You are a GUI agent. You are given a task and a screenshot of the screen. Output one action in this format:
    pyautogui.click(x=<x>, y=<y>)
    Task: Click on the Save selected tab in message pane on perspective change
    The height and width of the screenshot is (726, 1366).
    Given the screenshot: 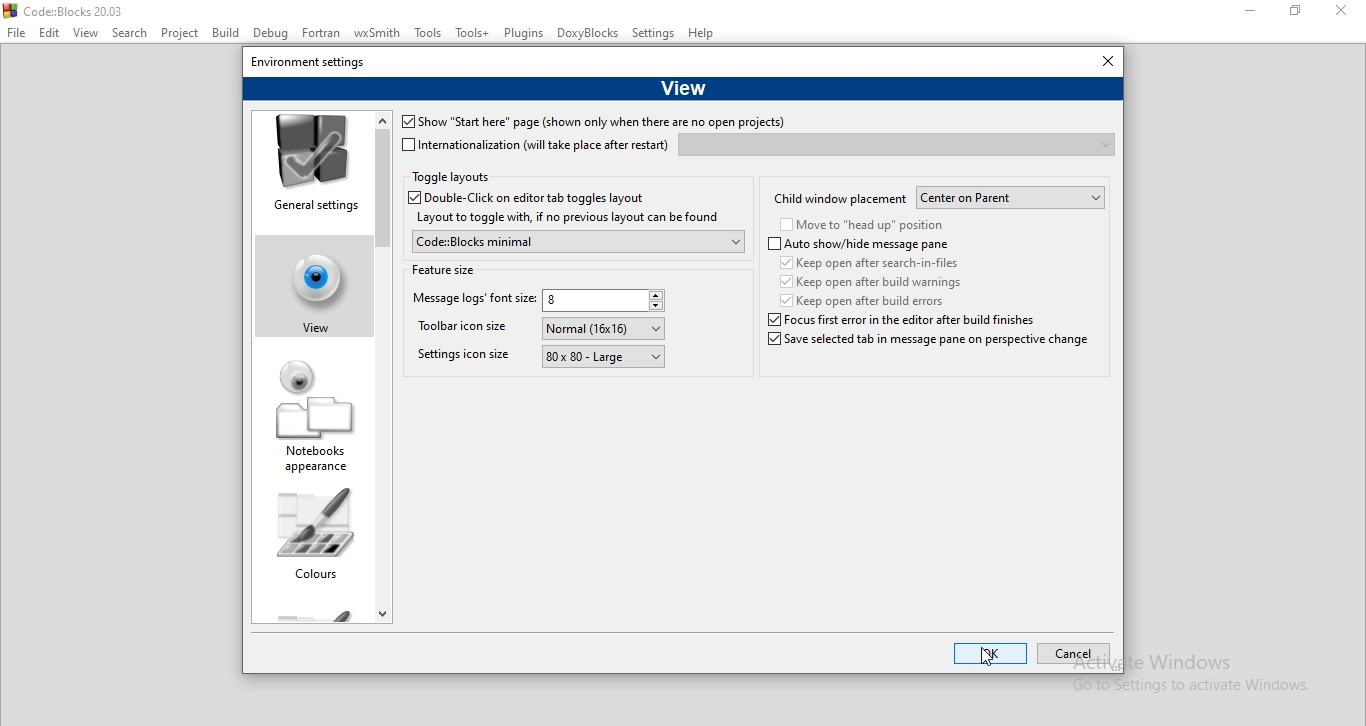 What is the action you would take?
    pyautogui.click(x=926, y=346)
    